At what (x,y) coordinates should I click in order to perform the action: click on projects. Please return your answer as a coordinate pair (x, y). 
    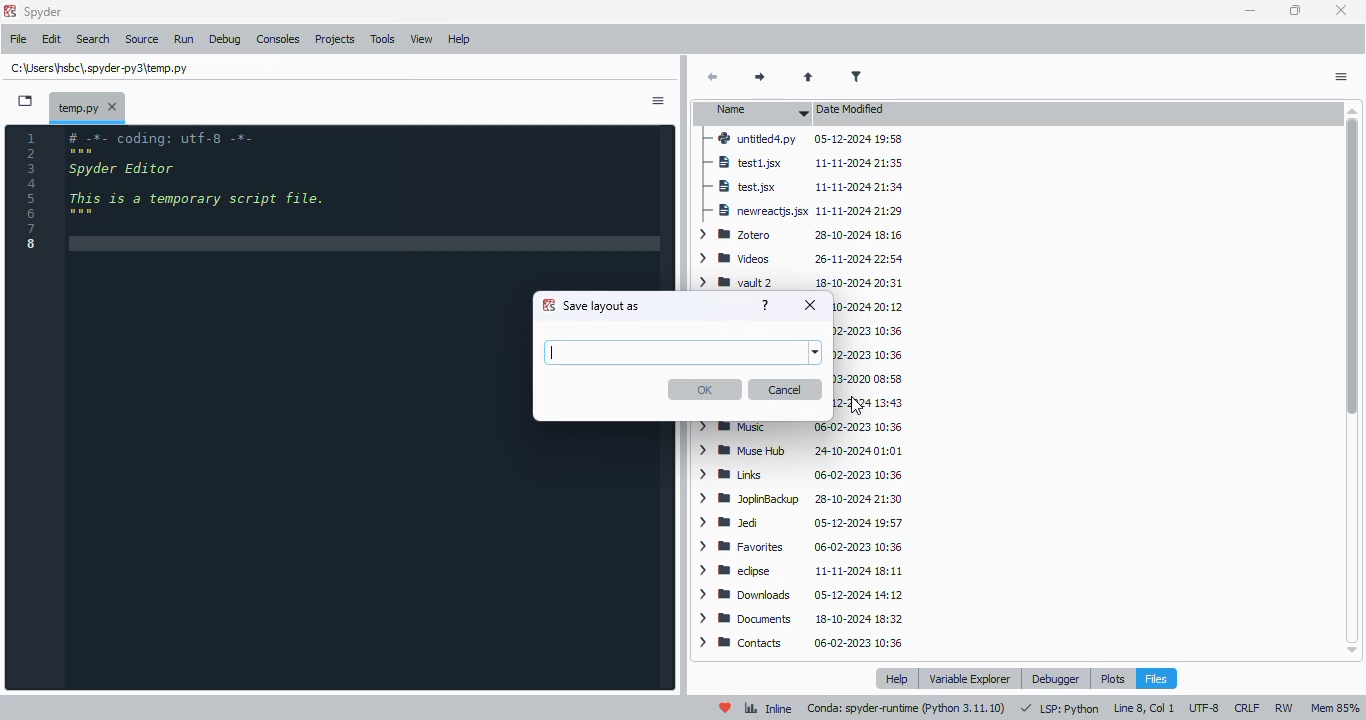
    Looking at the image, I should click on (337, 39).